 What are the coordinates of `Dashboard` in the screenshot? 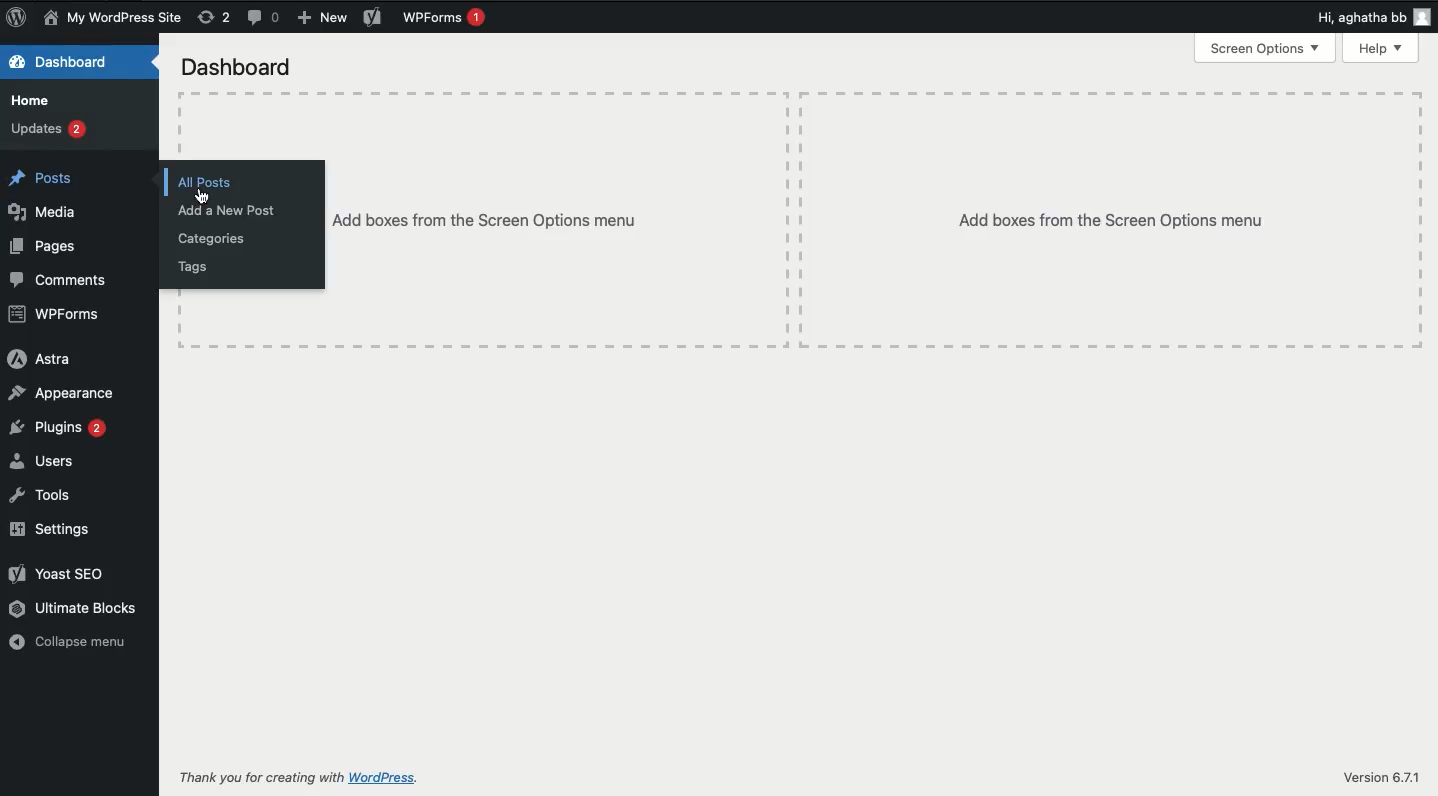 It's located at (68, 63).